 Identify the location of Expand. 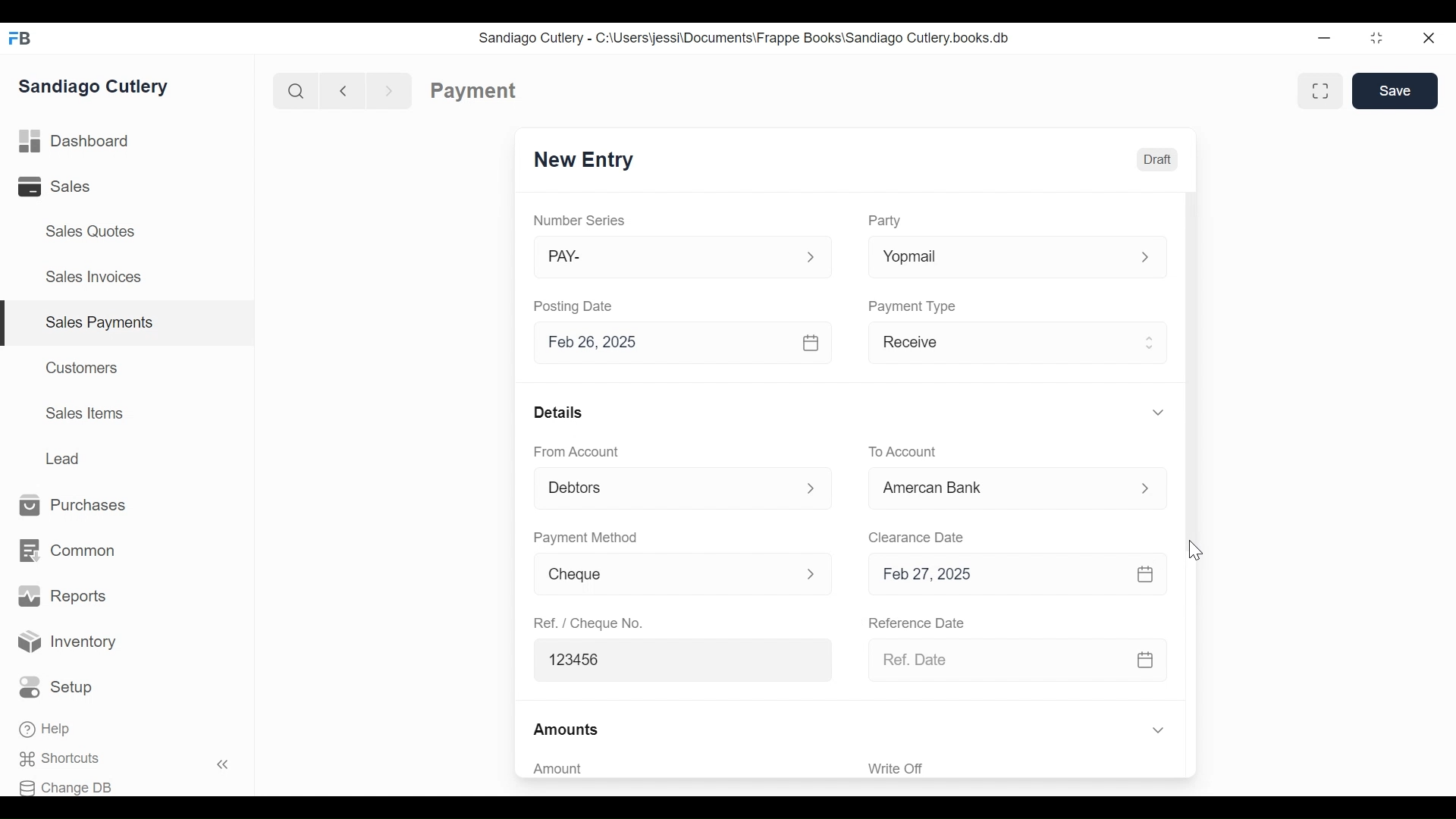
(1151, 340).